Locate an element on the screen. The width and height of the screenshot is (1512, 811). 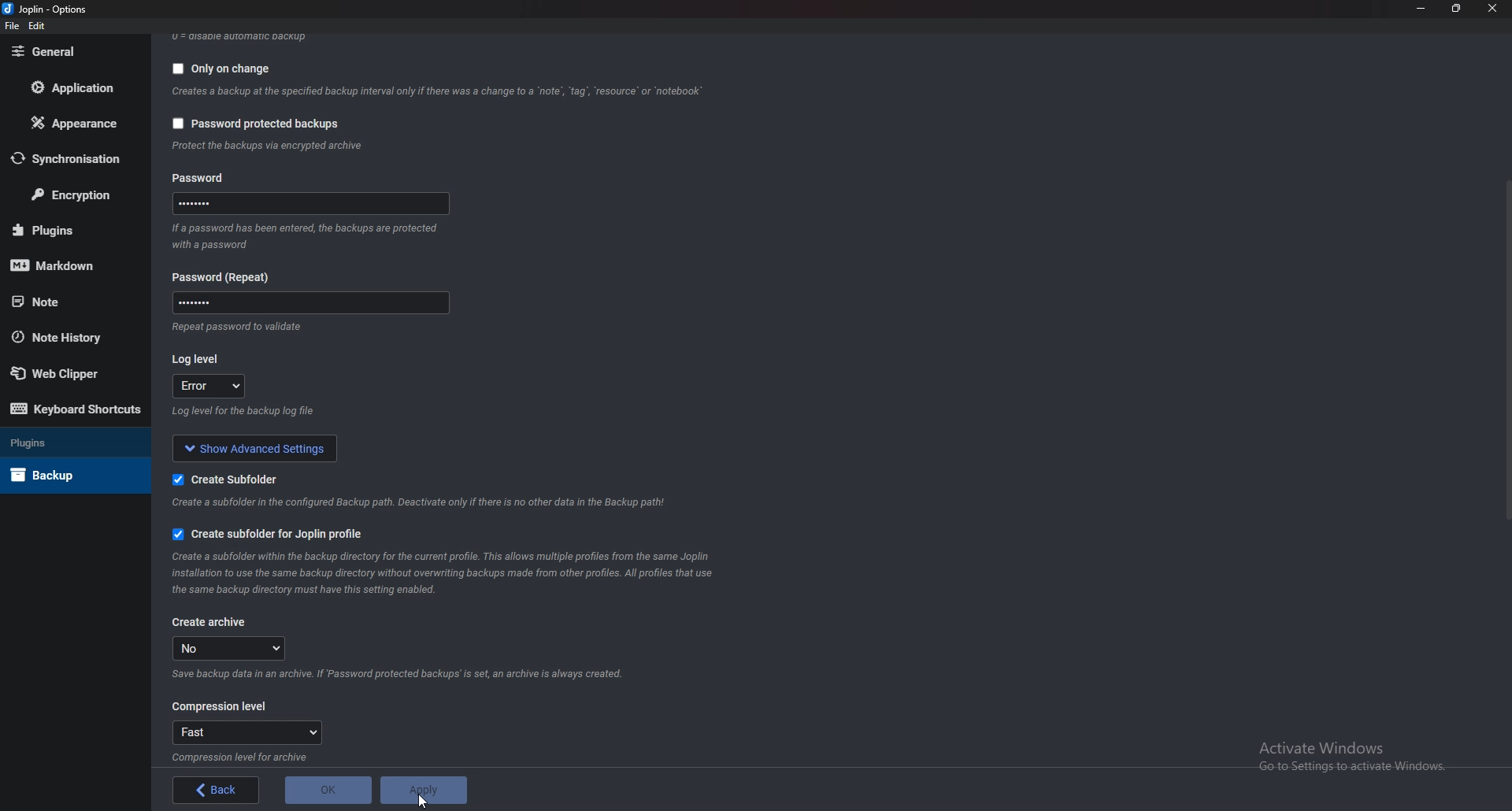
Web Clipper is located at coordinates (61, 374).